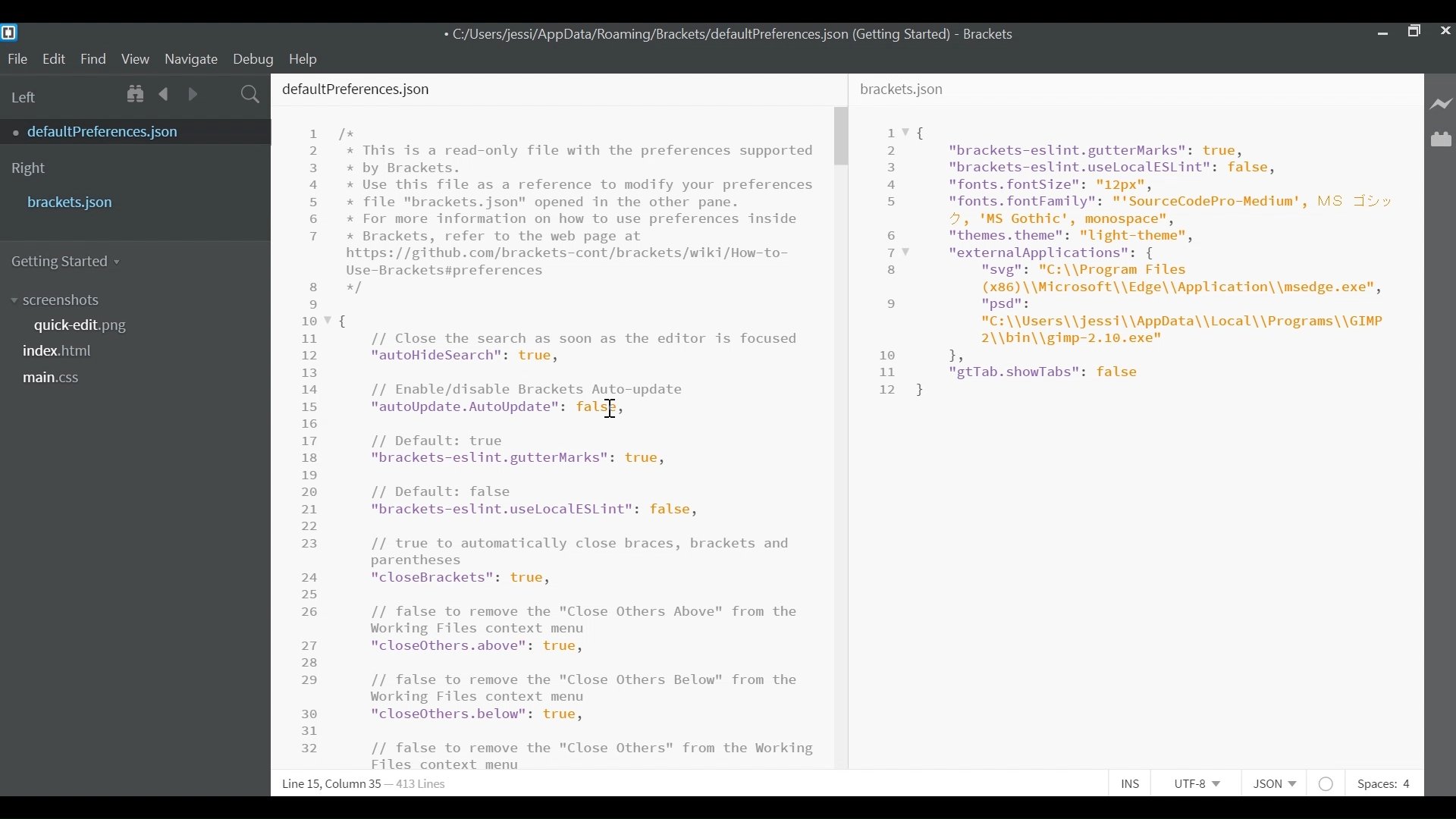 This screenshot has height=819, width=1456. What do you see at coordinates (1272, 783) in the screenshot?
I see `Select File Type` at bounding box center [1272, 783].